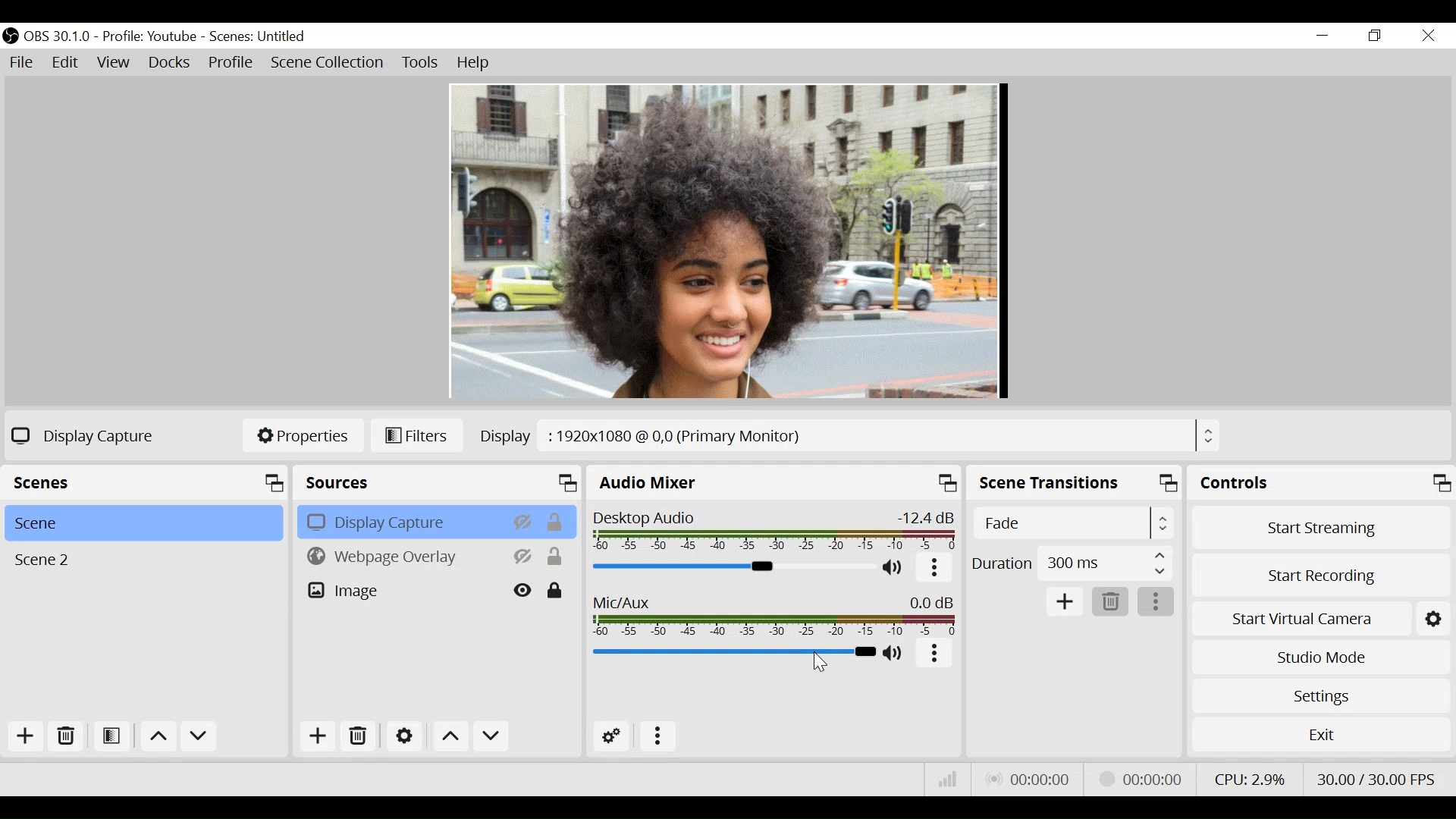  What do you see at coordinates (29, 736) in the screenshot?
I see `Add` at bounding box center [29, 736].